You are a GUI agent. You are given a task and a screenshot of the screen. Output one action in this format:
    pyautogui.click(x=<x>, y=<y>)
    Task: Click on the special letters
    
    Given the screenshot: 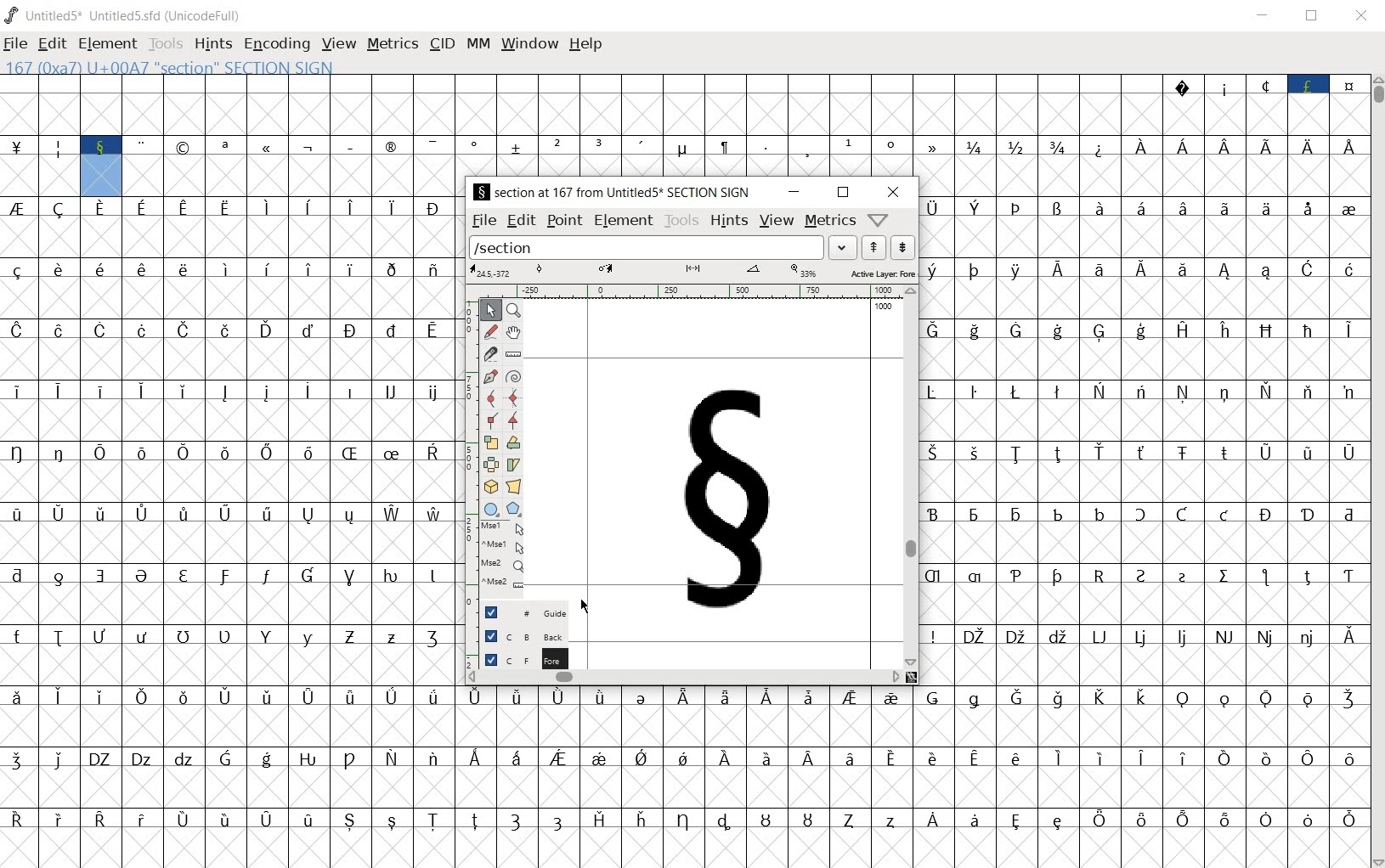 What is the action you would take?
    pyautogui.click(x=1144, y=390)
    